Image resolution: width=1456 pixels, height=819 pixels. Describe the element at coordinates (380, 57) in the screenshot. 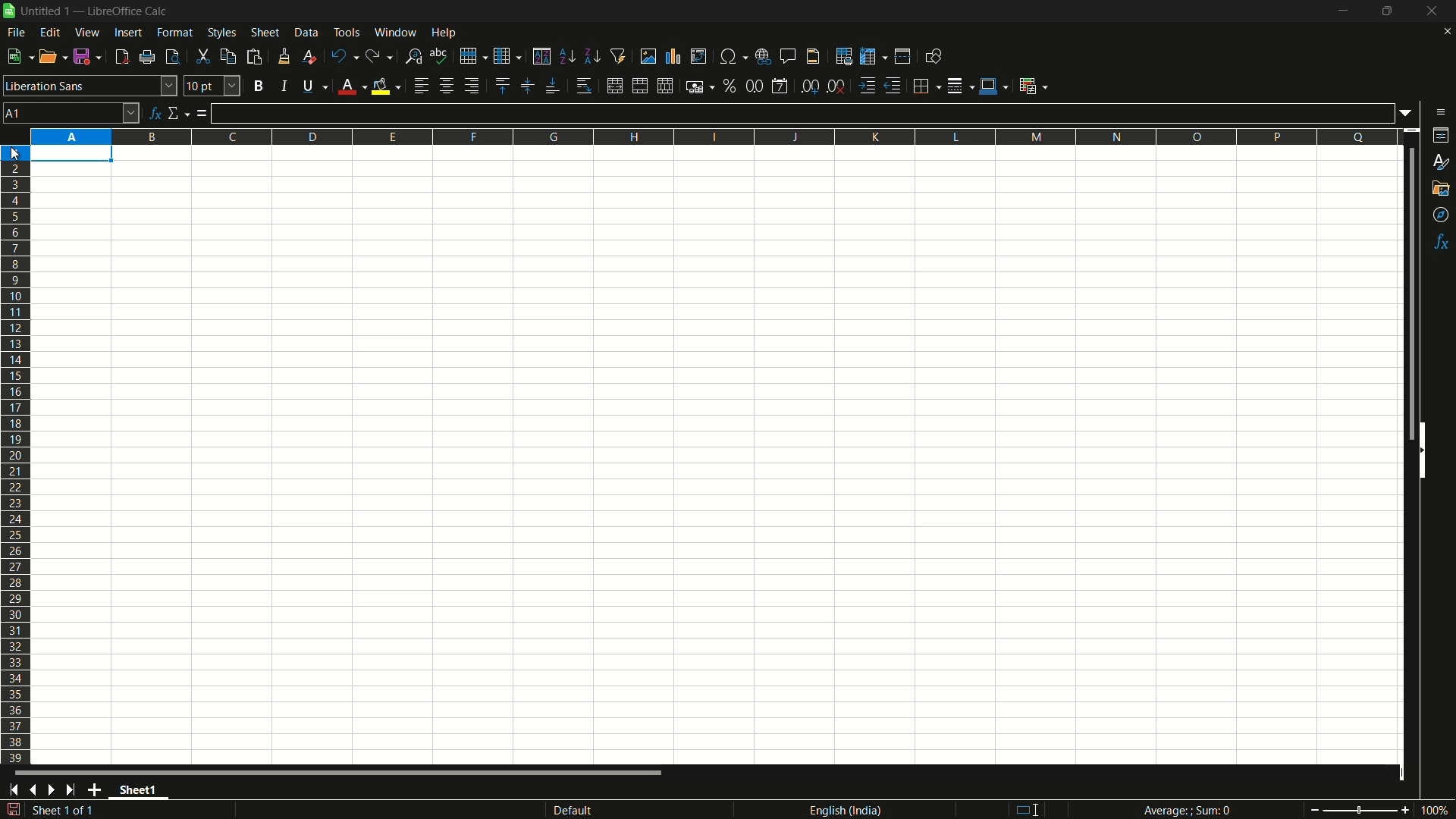

I see `redo` at that location.